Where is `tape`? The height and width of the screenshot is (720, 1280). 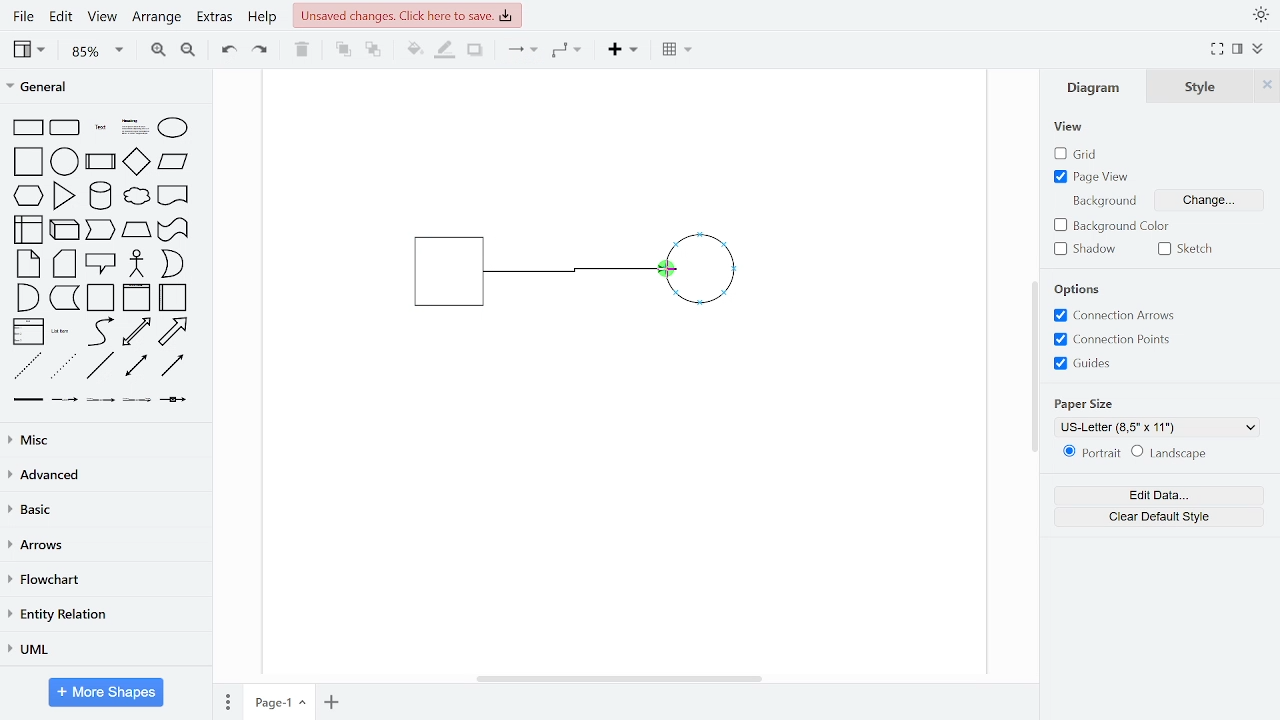 tape is located at coordinates (171, 230).